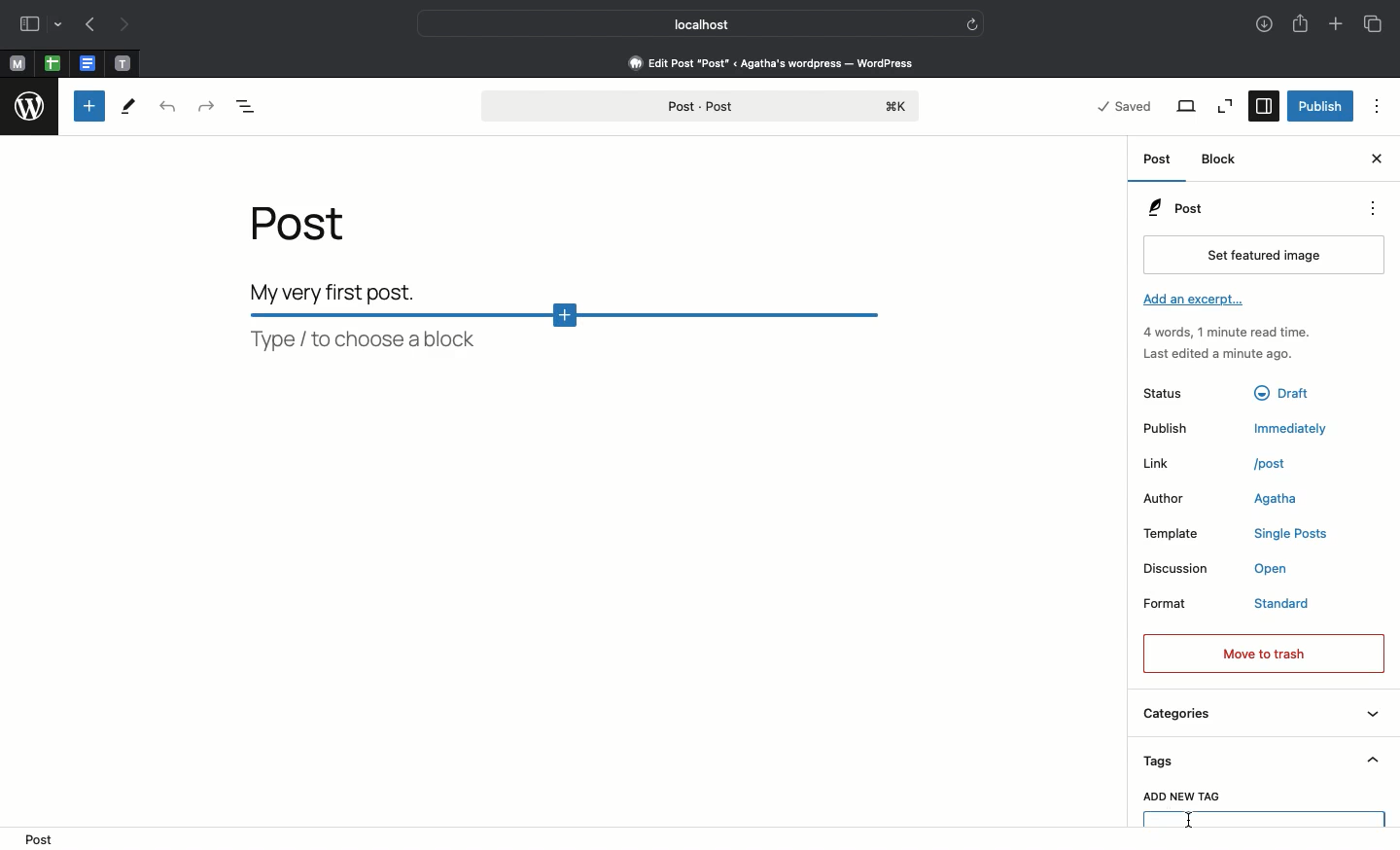 The height and width of the screenshot is (850, 1400). I want to click on Status, so click(1170, 395).